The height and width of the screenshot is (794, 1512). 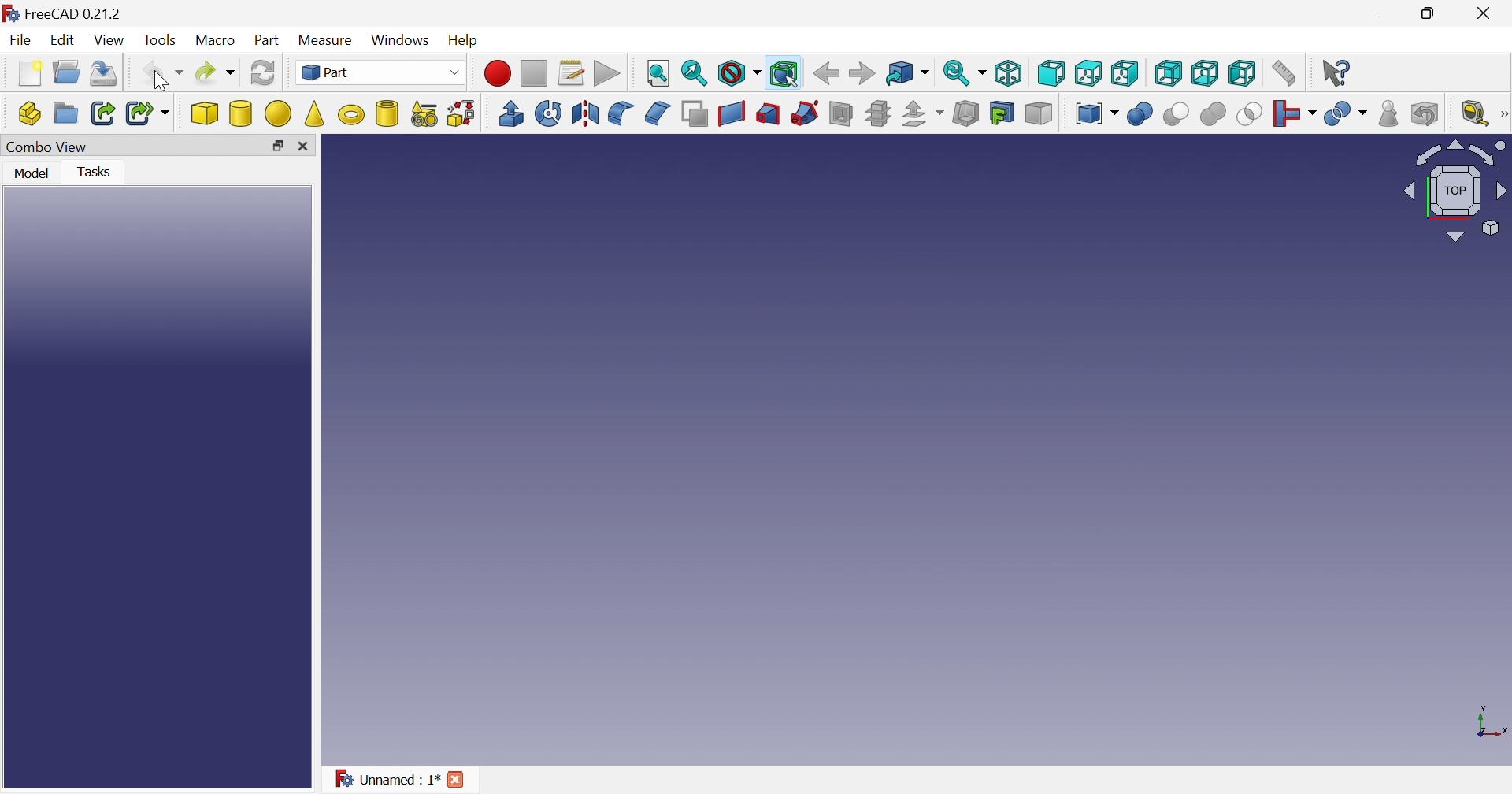 I want to click on Viewing angle, so click(x=1456, y=189).